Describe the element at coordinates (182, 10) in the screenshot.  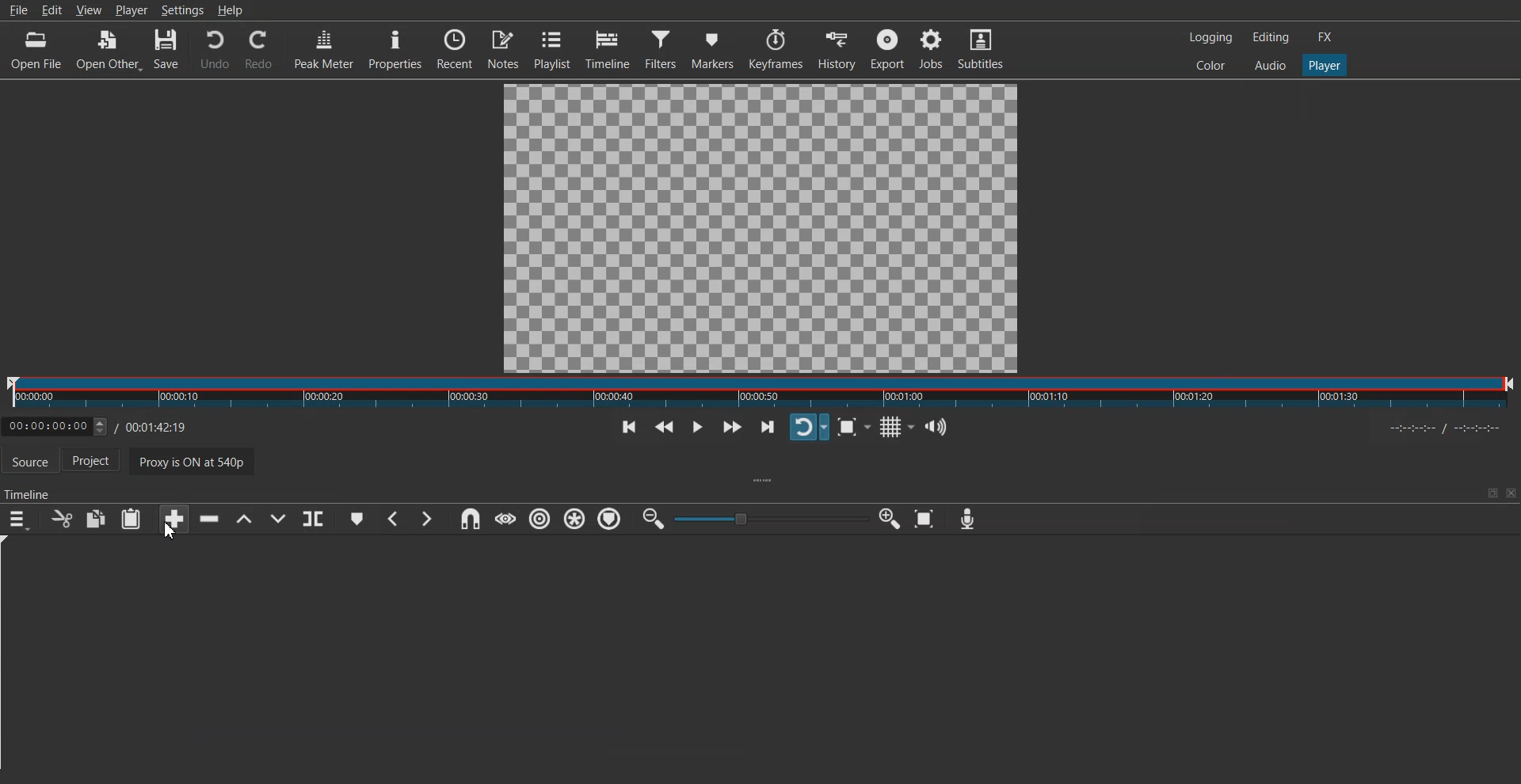
I see `Settings` at that location.